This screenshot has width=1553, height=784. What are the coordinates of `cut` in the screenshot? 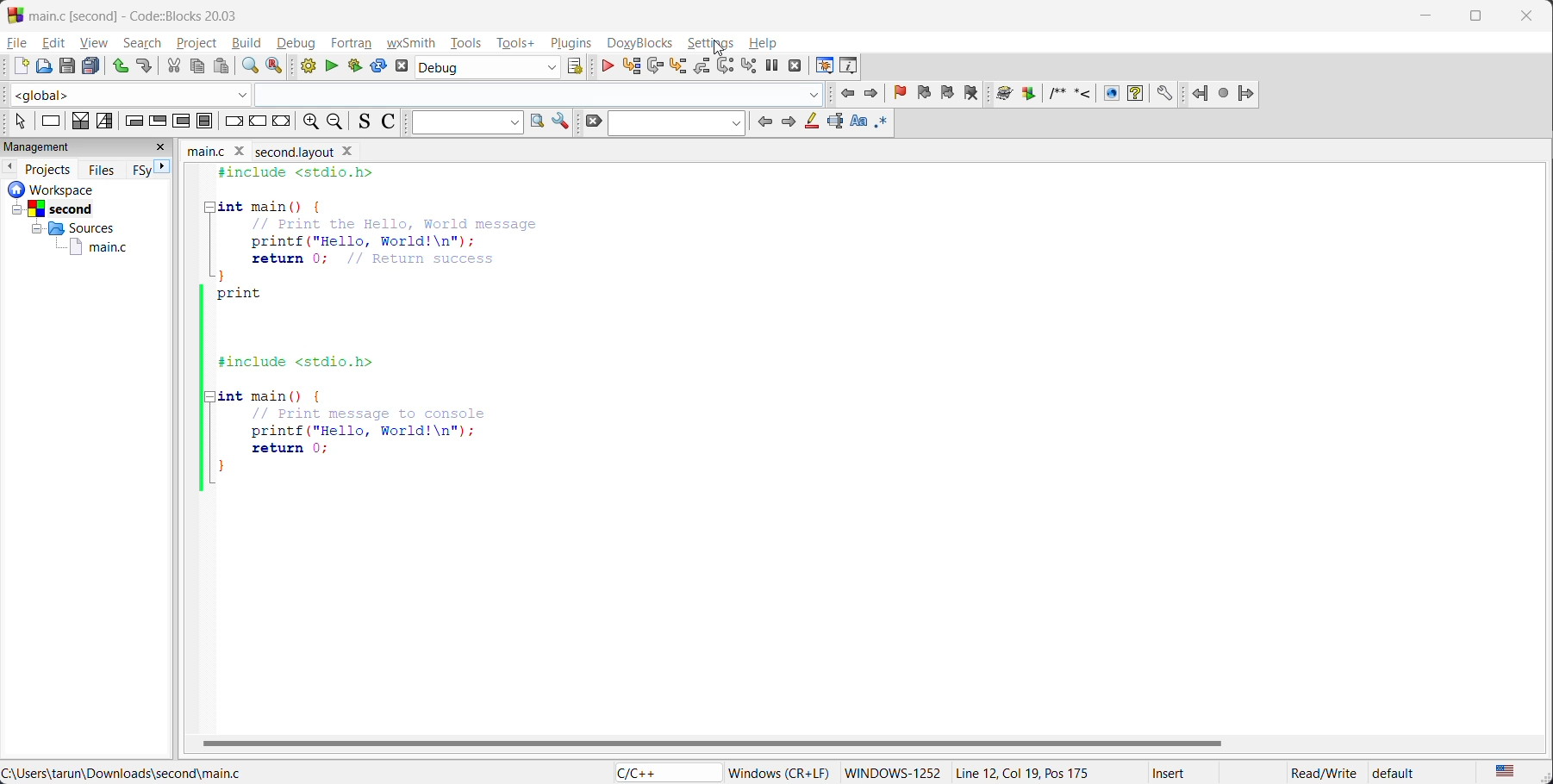 It's located at (173, 65).